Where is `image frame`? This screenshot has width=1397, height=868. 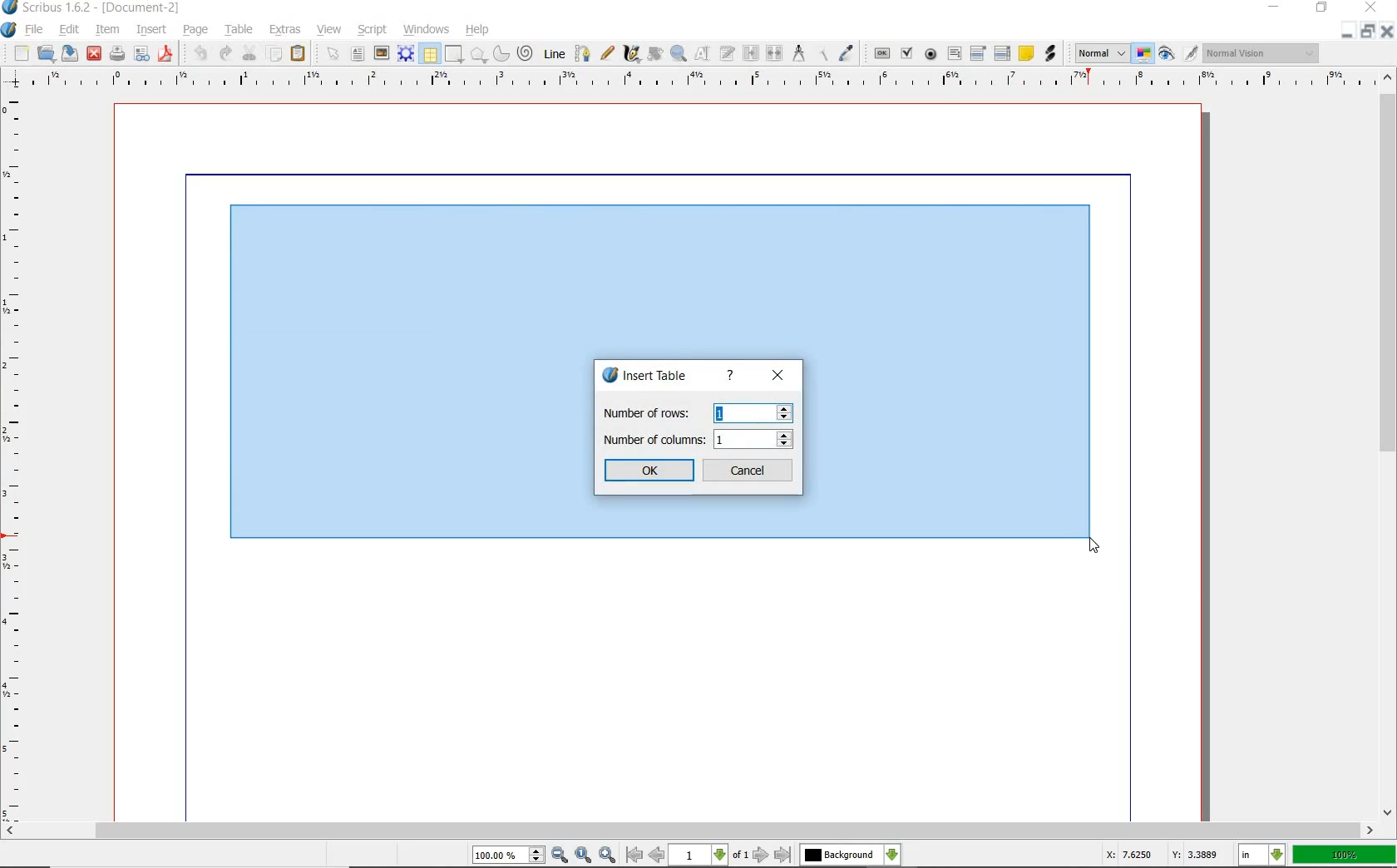
image frame is located at coordinates (380, 54).